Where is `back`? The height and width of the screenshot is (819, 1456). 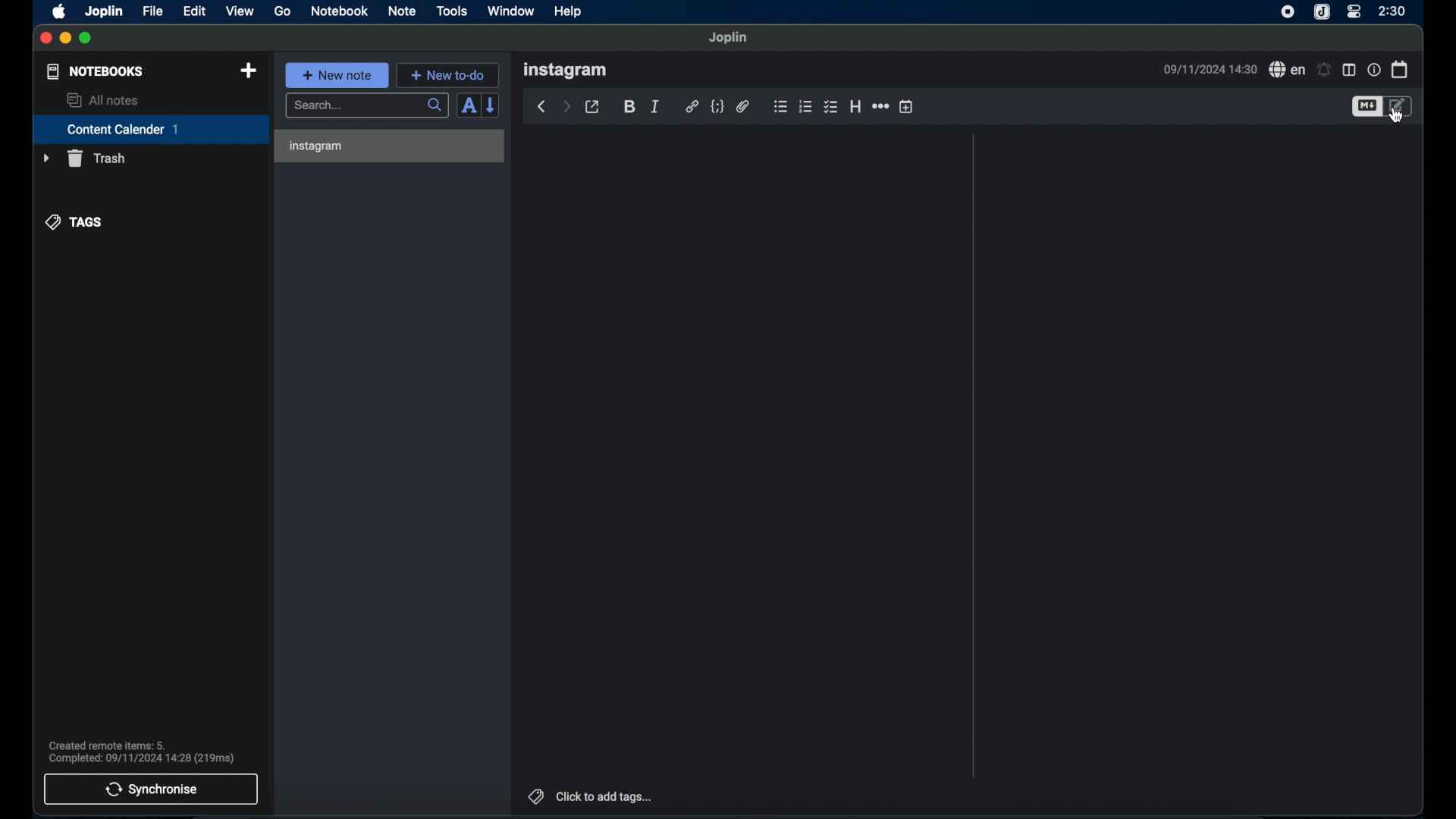 back is located at coordinates (542, 107).